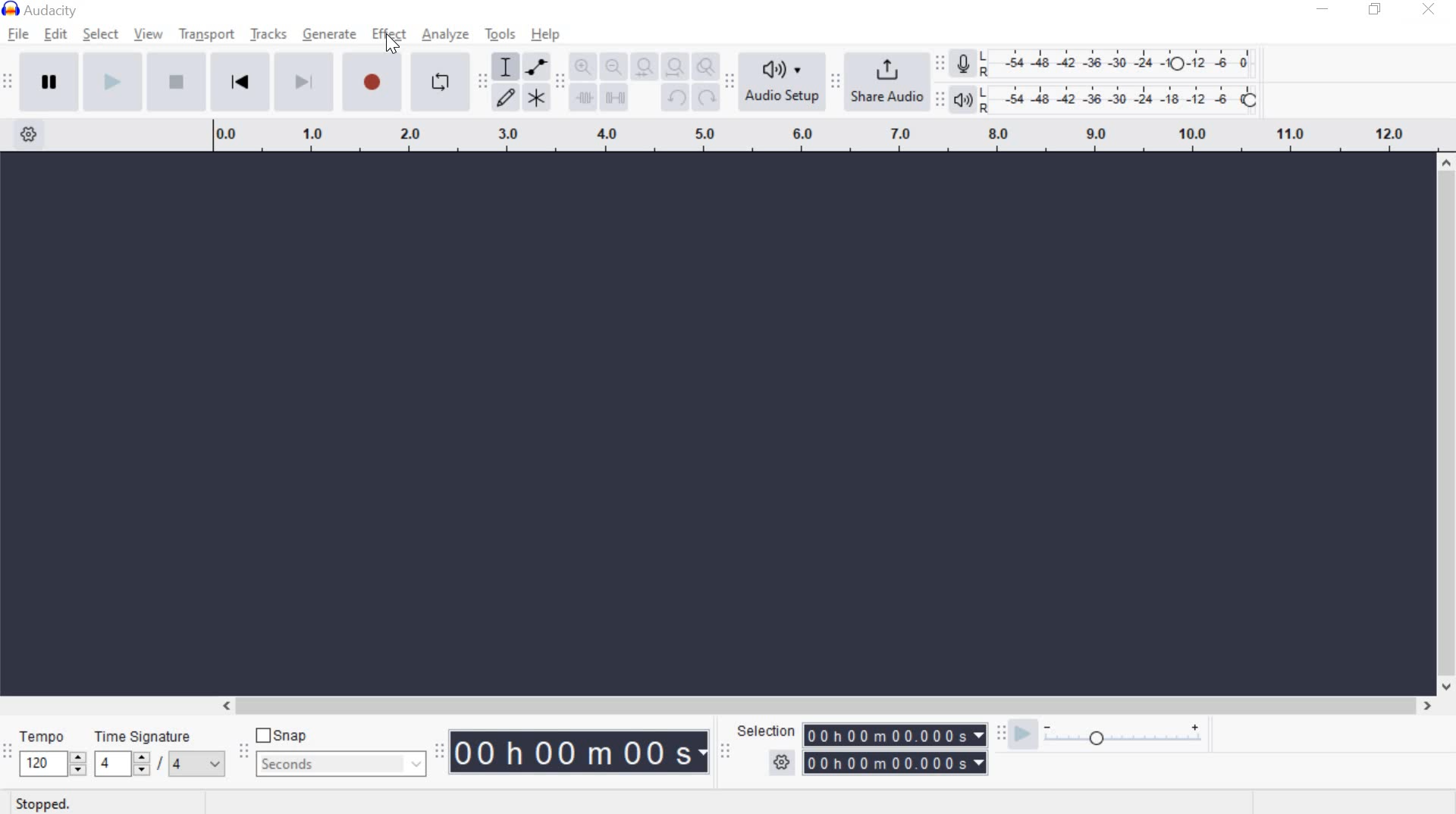 The height and width of the screenshot is (814, 1456). What do you see at coordinates (836, 80) in the screenshot?
I see `Share audio toolbar` at bounding box center [836, 80].